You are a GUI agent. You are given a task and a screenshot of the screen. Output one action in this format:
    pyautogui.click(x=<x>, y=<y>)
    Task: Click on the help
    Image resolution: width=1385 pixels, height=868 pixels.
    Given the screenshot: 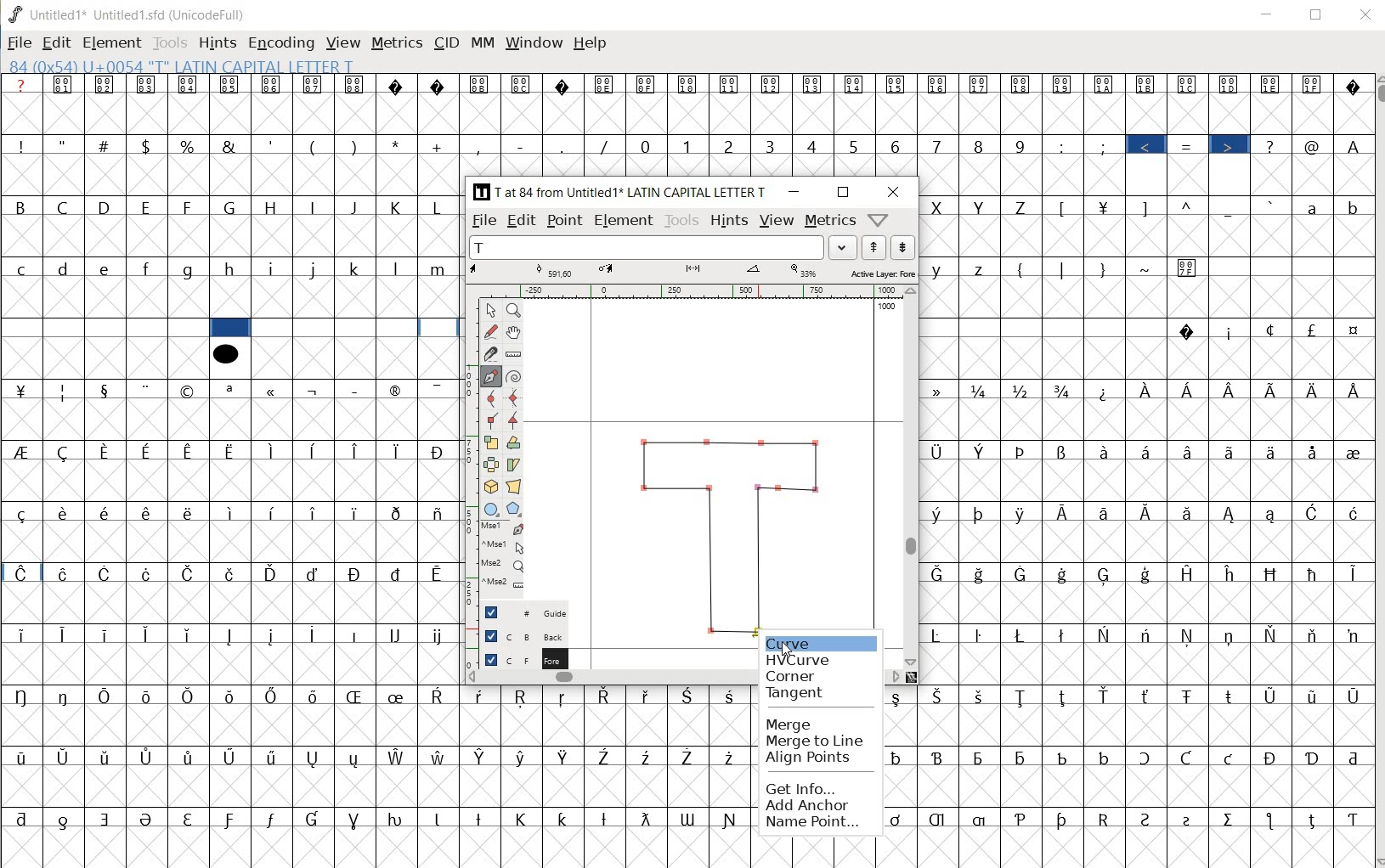 What is the action you would take?
    pyautogui.click(x=590, y=42)
    